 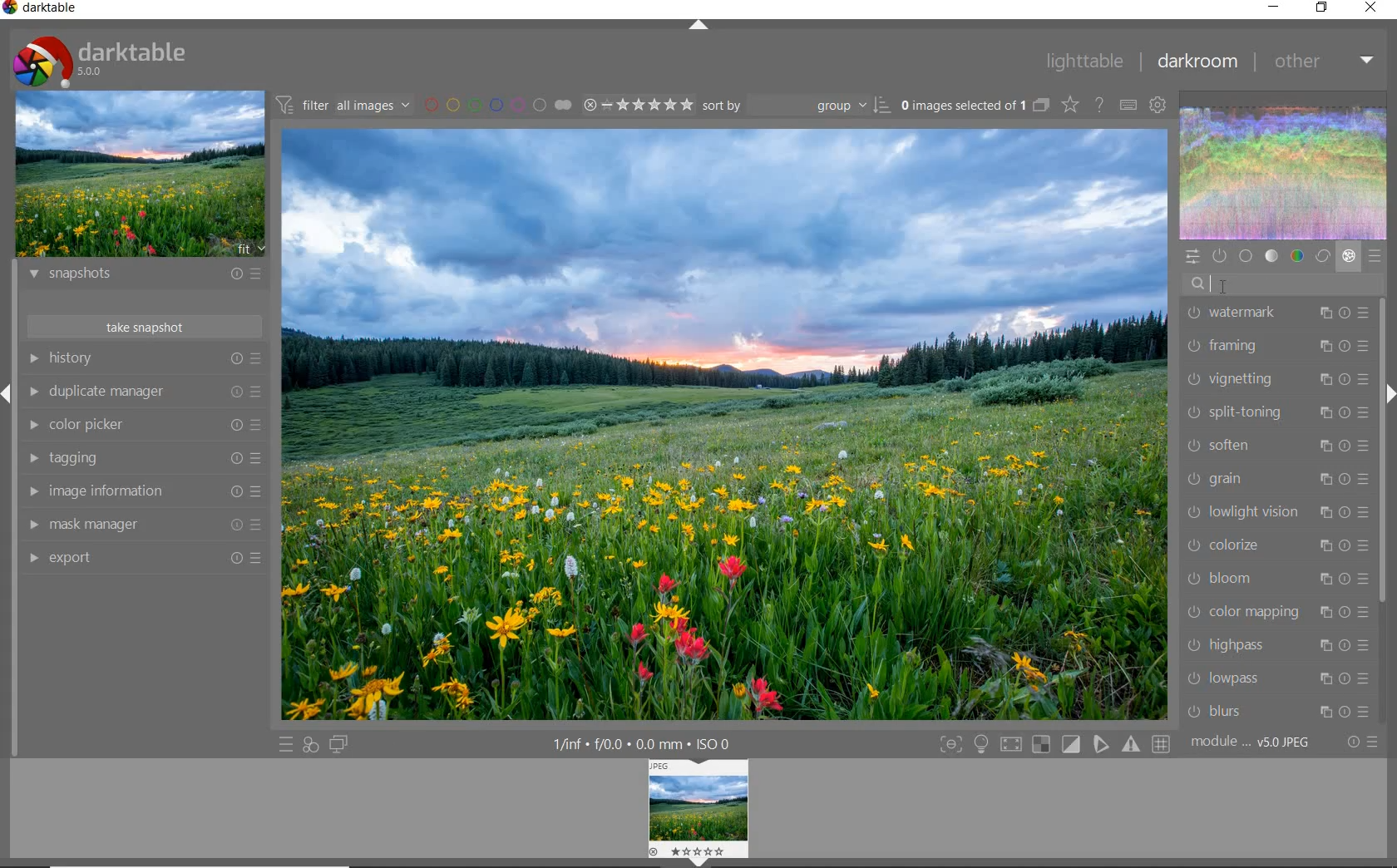 What do you see at coordinates (1191, 257) in the screenshot?
I see `quick access panel` at bounding box center [1191, 257].